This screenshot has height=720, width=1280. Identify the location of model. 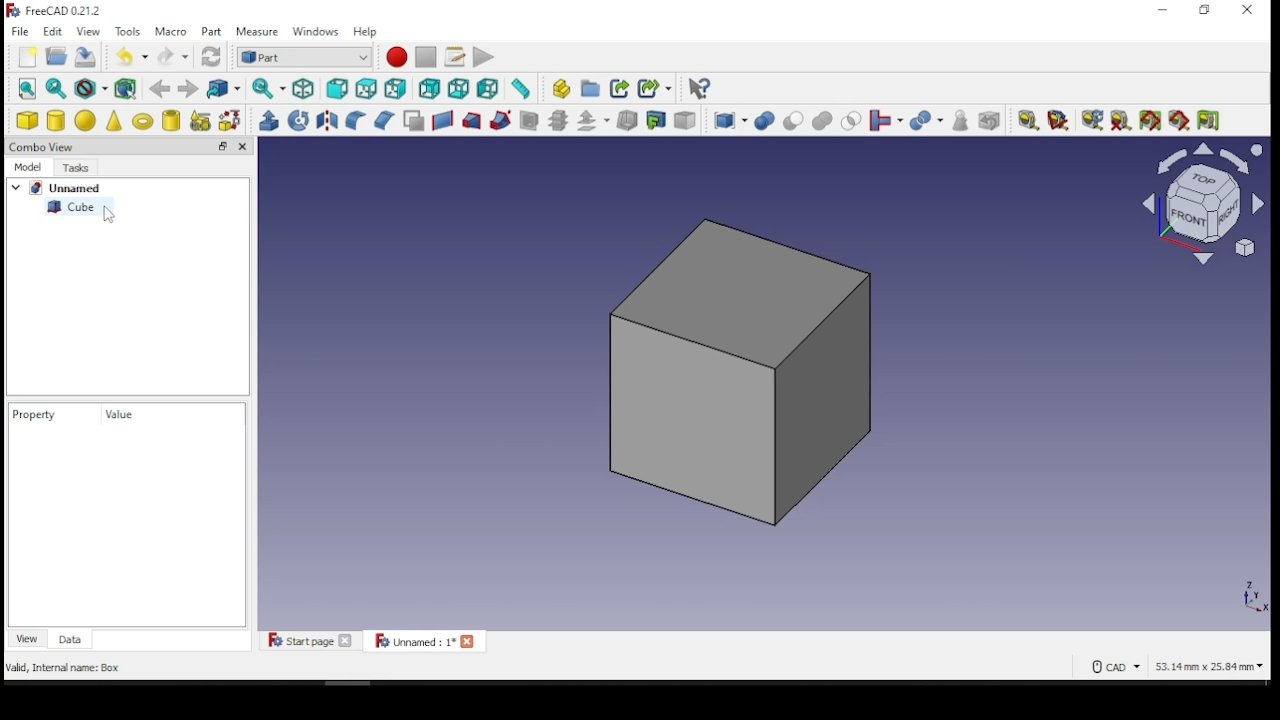
(29, 167).